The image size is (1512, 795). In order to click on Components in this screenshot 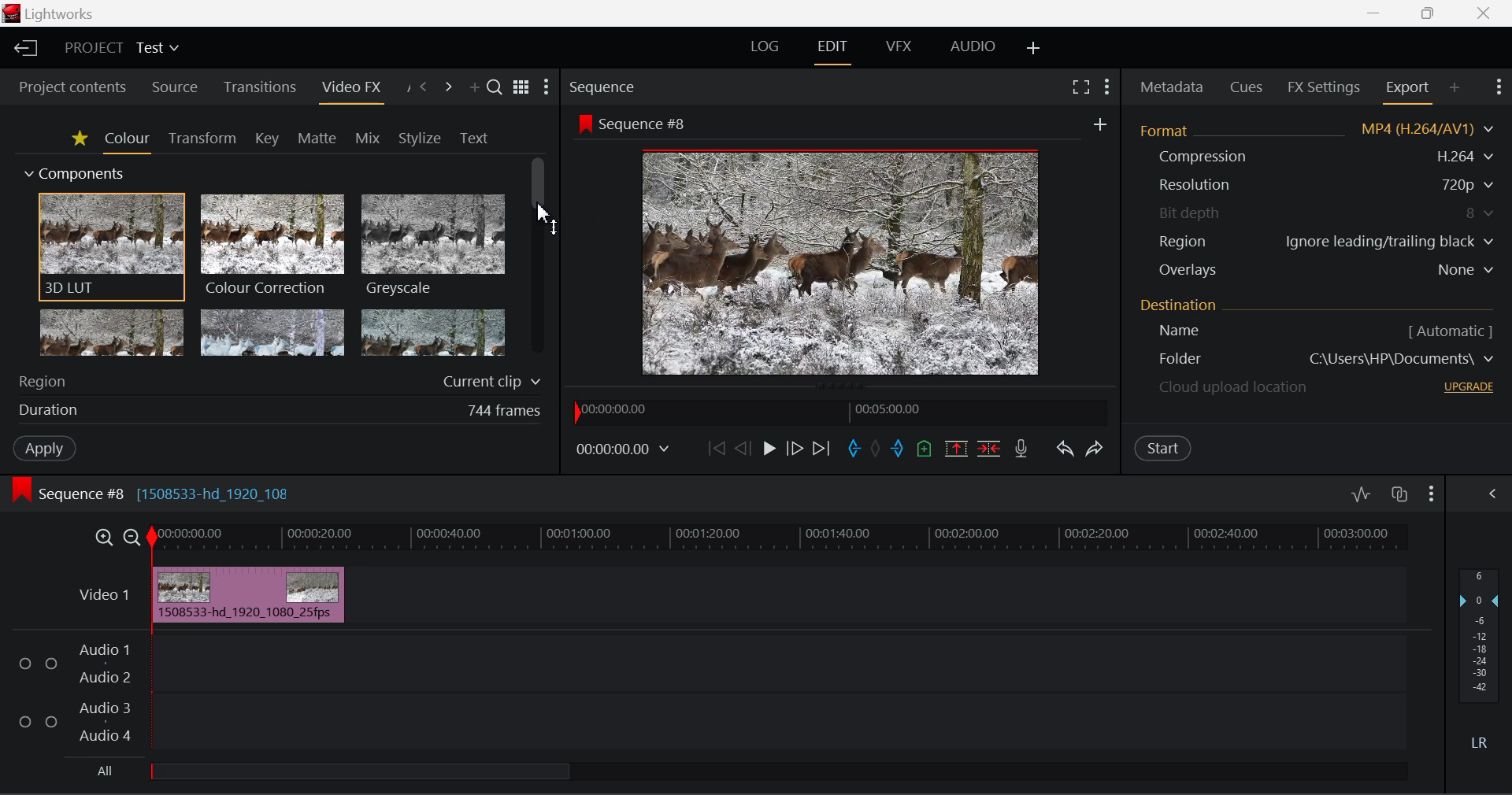, I will do `click(67, 174)`.